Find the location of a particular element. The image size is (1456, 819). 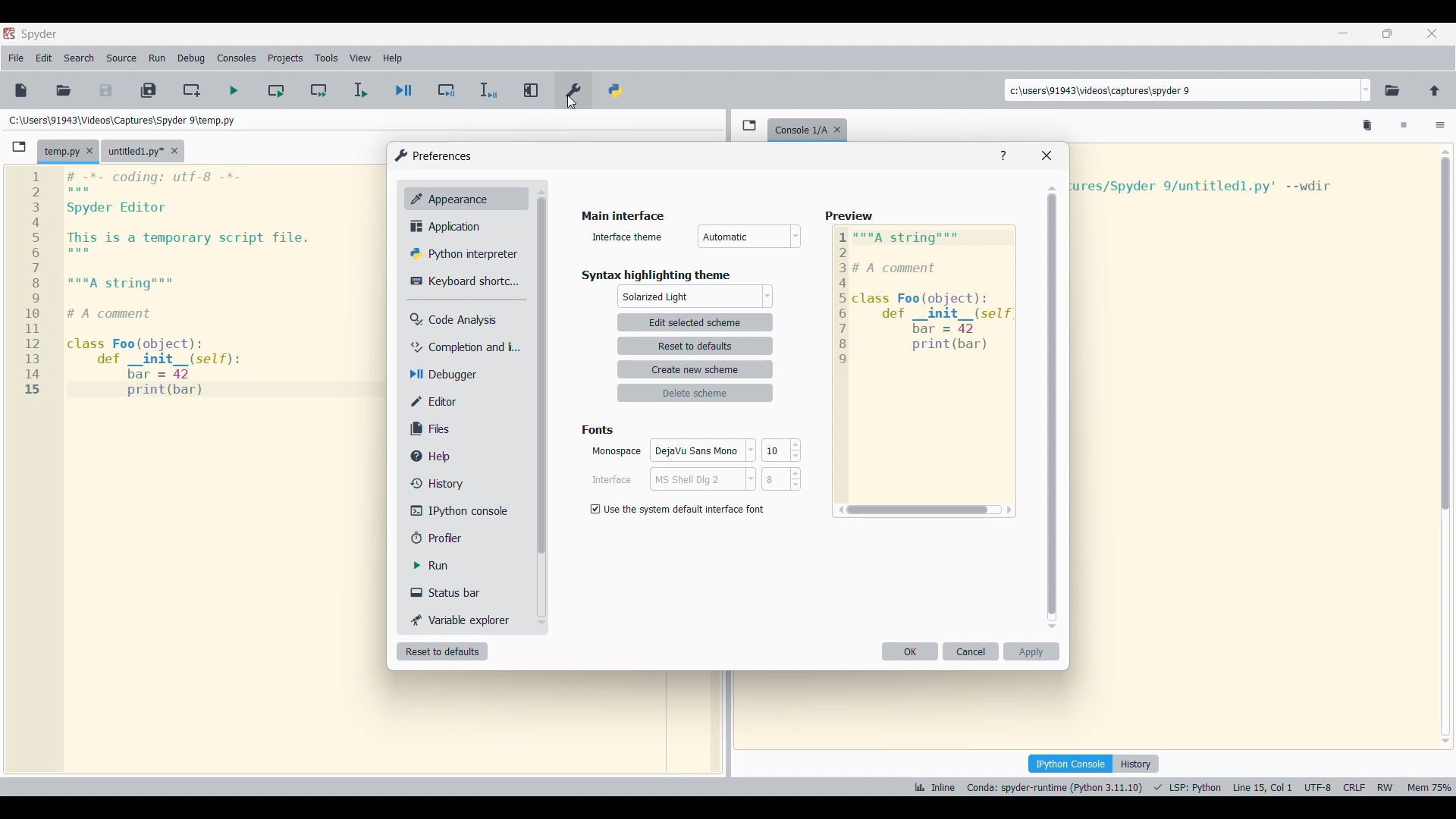

Show in a smaller tab is located at coordinates (1388, 33).